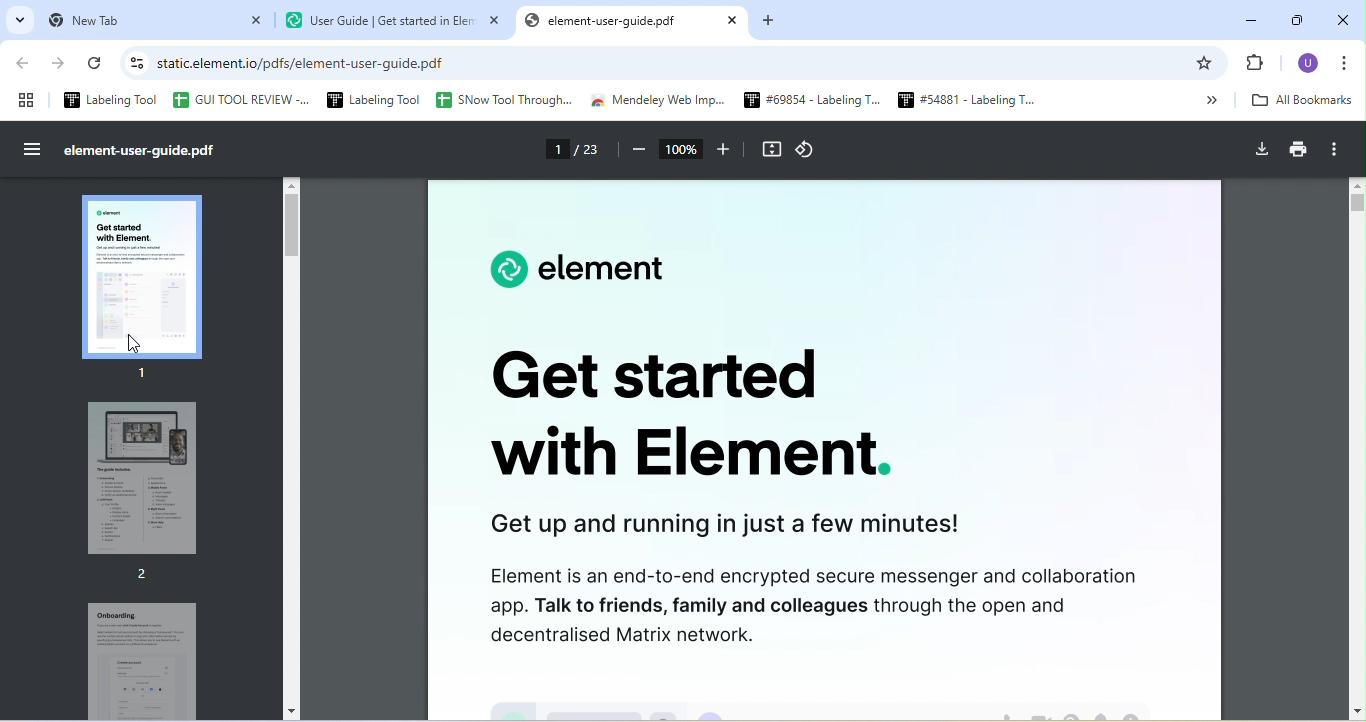  I want to click on back, so click(27, 65).